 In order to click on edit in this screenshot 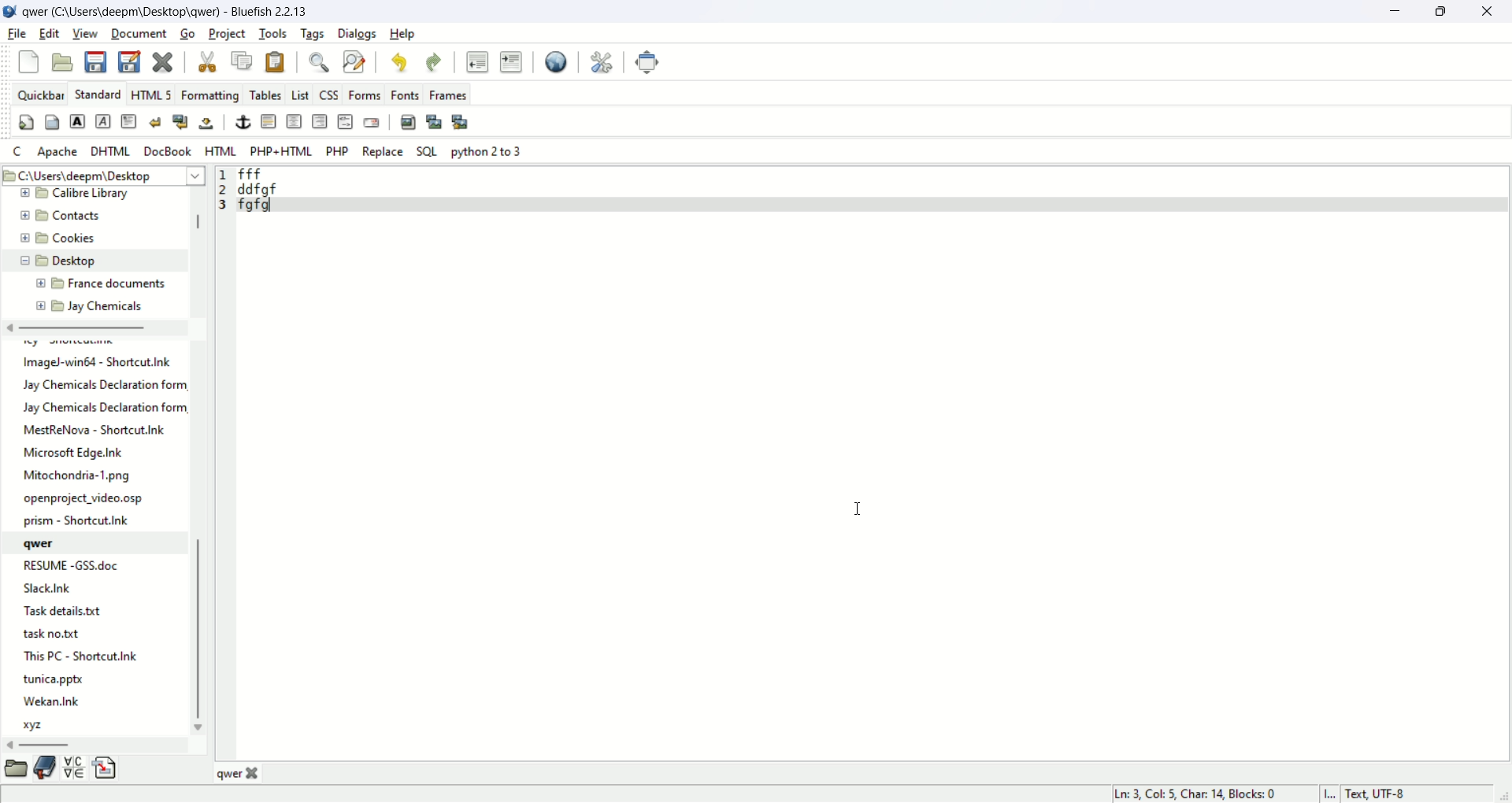, I will do `click(50, 33)`.